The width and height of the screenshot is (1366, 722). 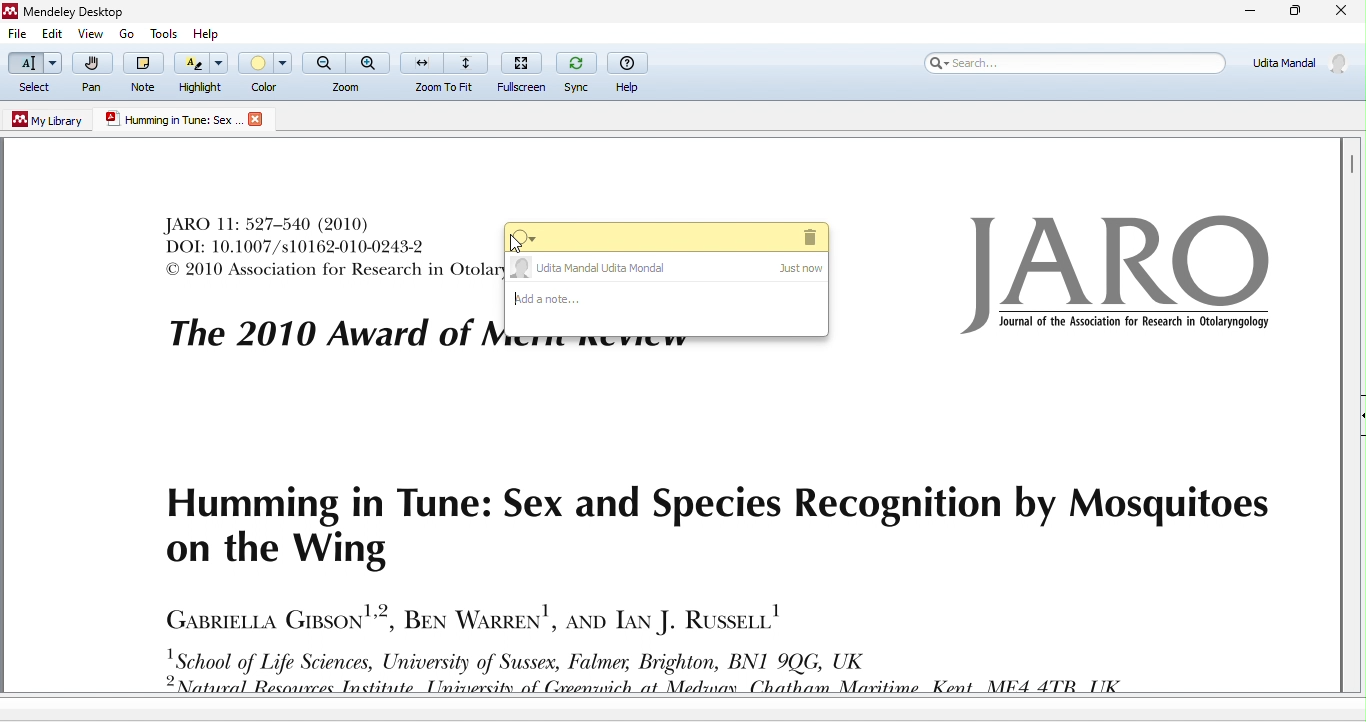 What do you see at coordinates (36, 73) in the screenshot?
I see `select` at bounding box center [36, 73].